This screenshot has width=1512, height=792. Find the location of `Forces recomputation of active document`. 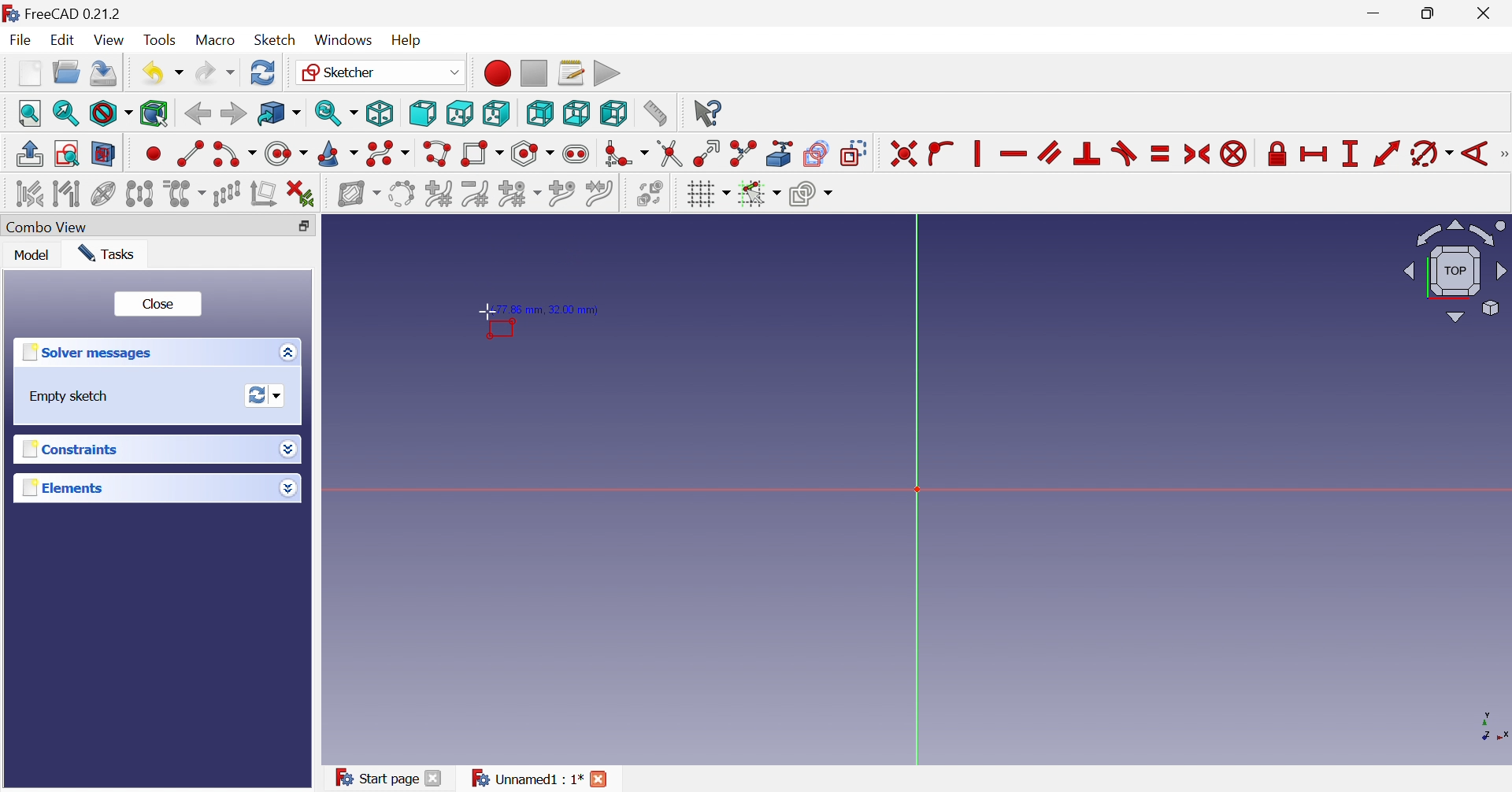

Forces recomputation of active document is located at coordinates (265, 396).